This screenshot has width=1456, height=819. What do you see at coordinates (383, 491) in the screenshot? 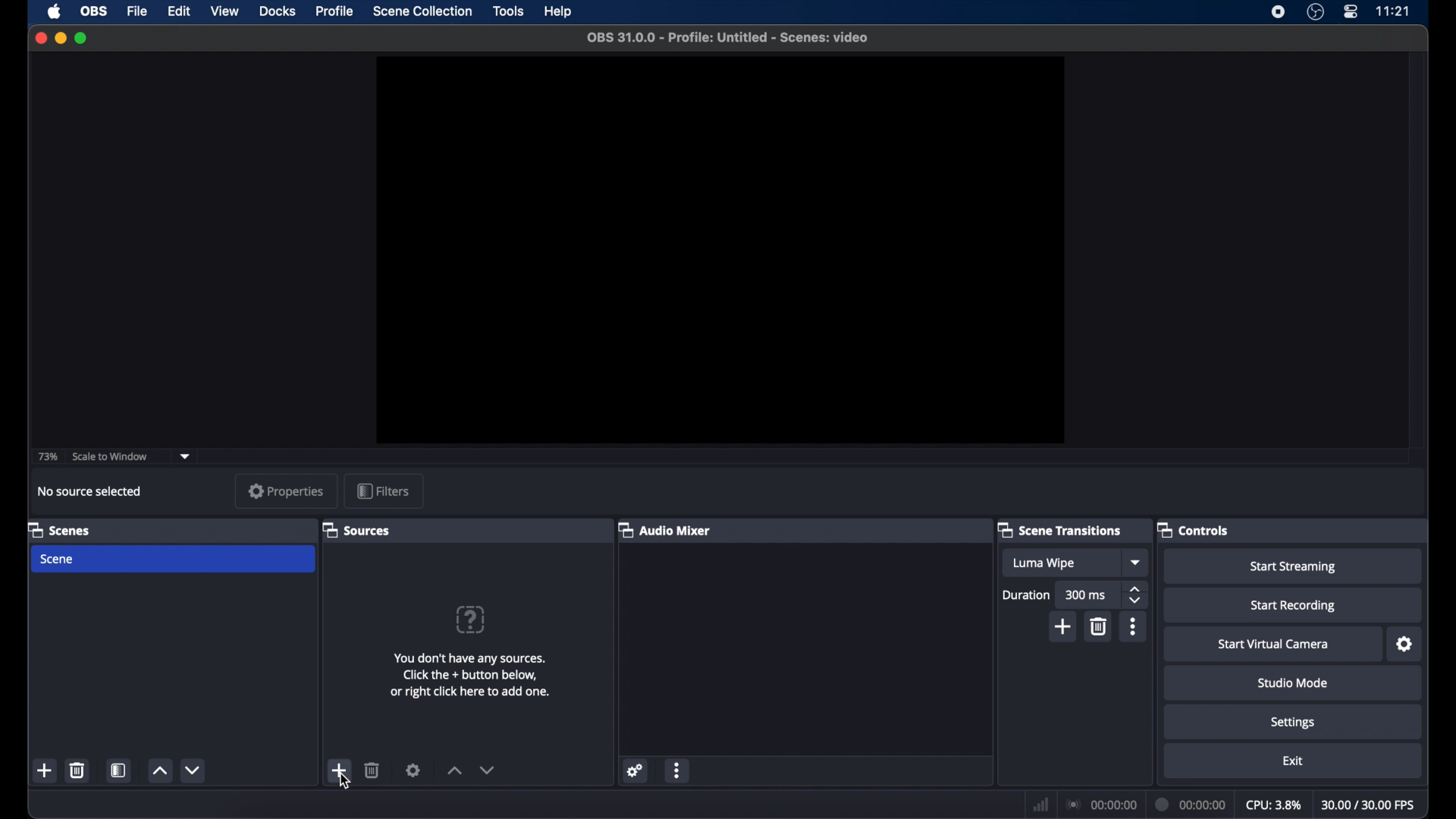
I see `filters` at bounding box center [383, 491].